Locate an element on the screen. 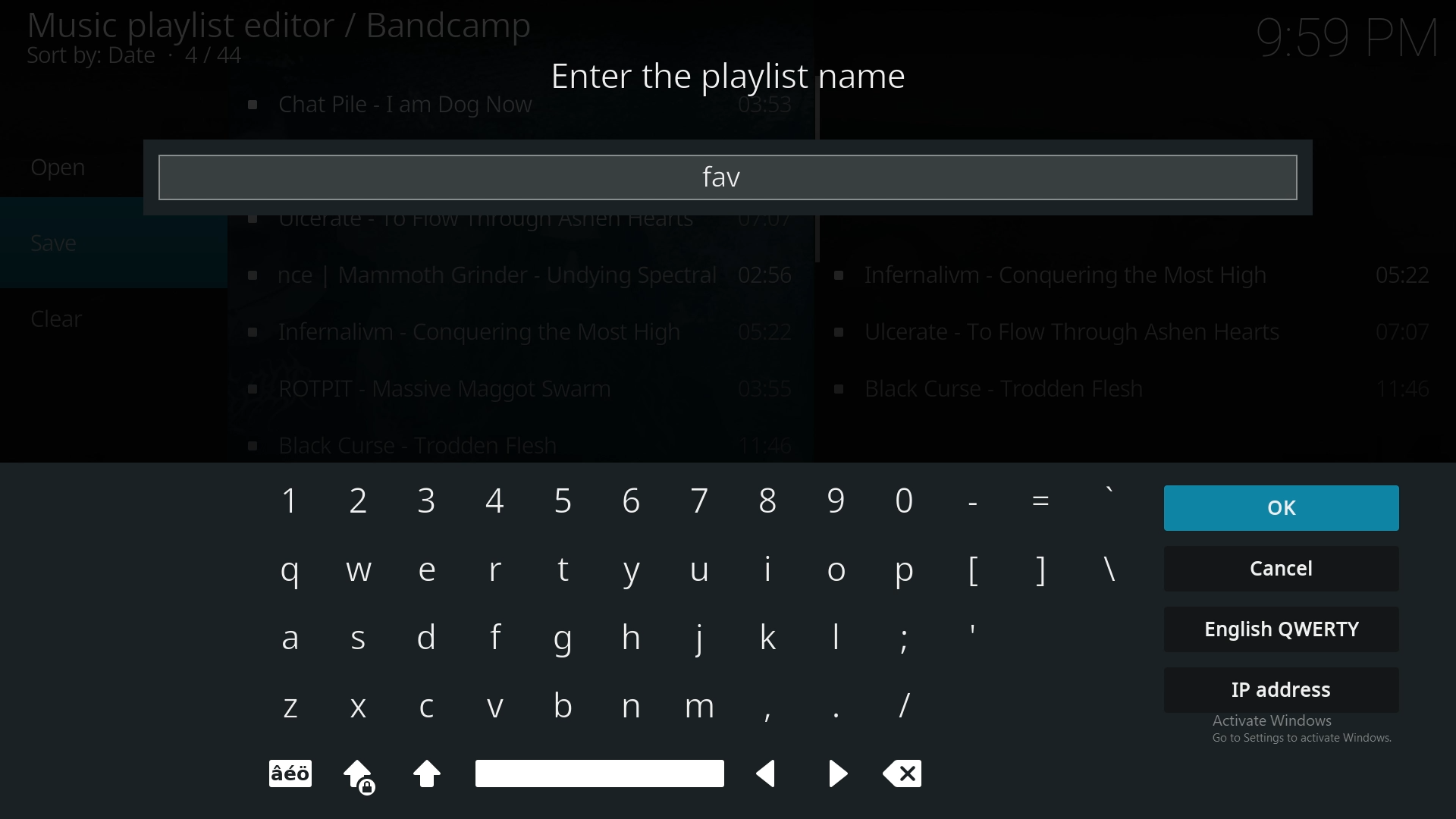 The height and width of the screenshot is (819, 1456). keyboard input is located at coordinates (630, 500).